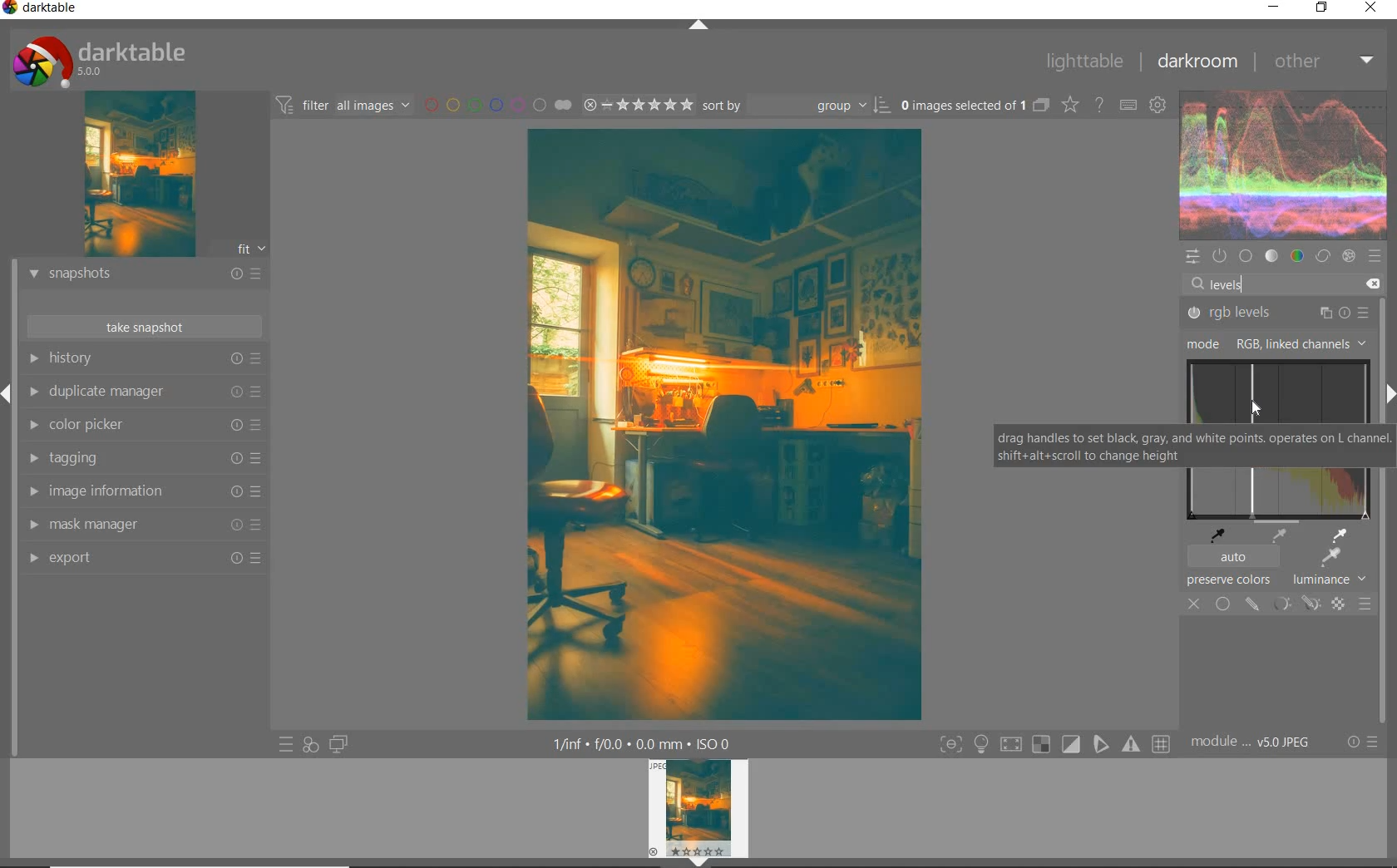  I want to click on pick white point with image, so click(1343, 535).